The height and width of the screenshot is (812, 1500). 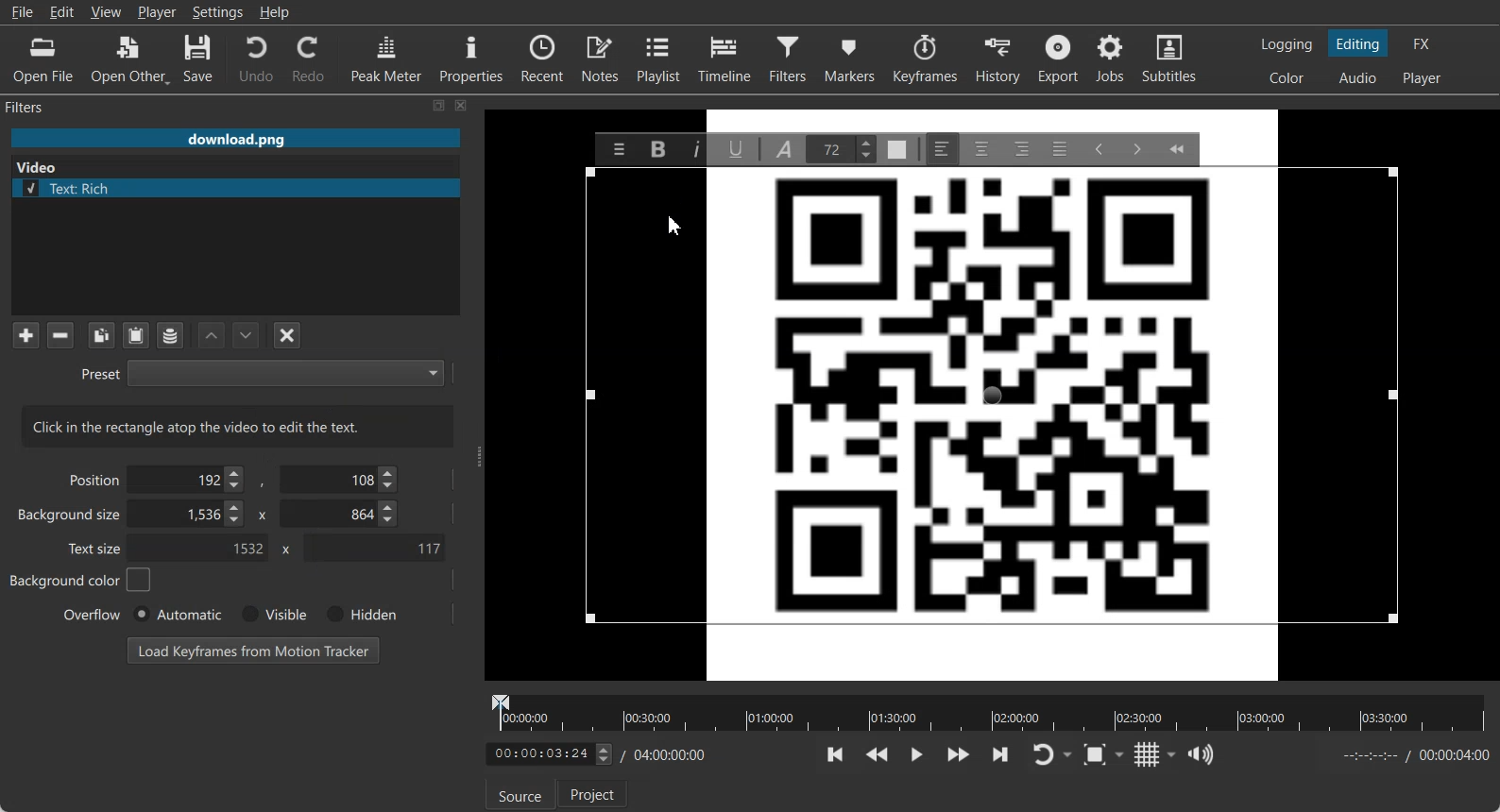 What do you see at coordinates (218, 12) in the screenshot?
I see `Settings` at bounding box center [218, 12].